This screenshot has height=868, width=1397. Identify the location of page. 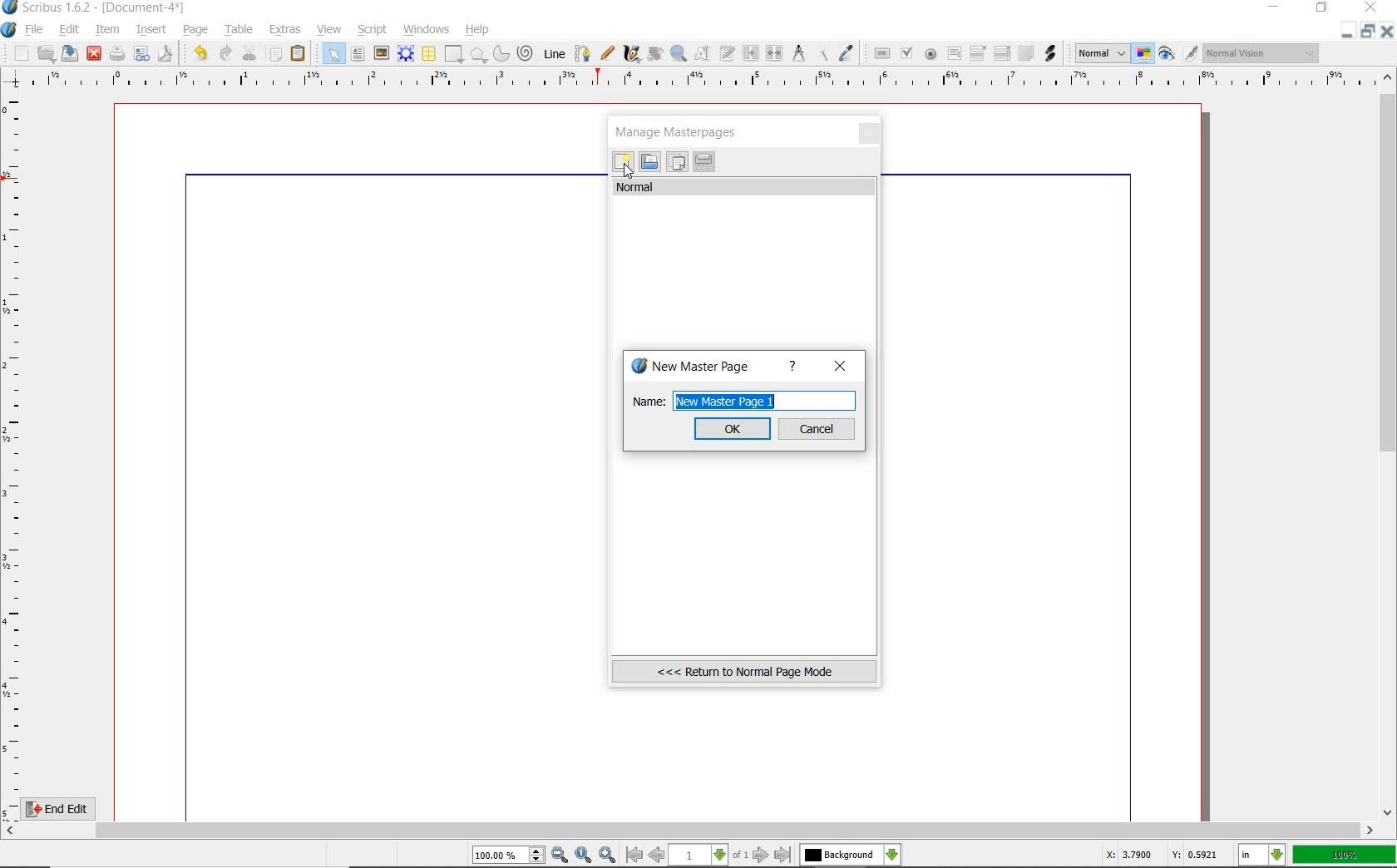
(196, 28).